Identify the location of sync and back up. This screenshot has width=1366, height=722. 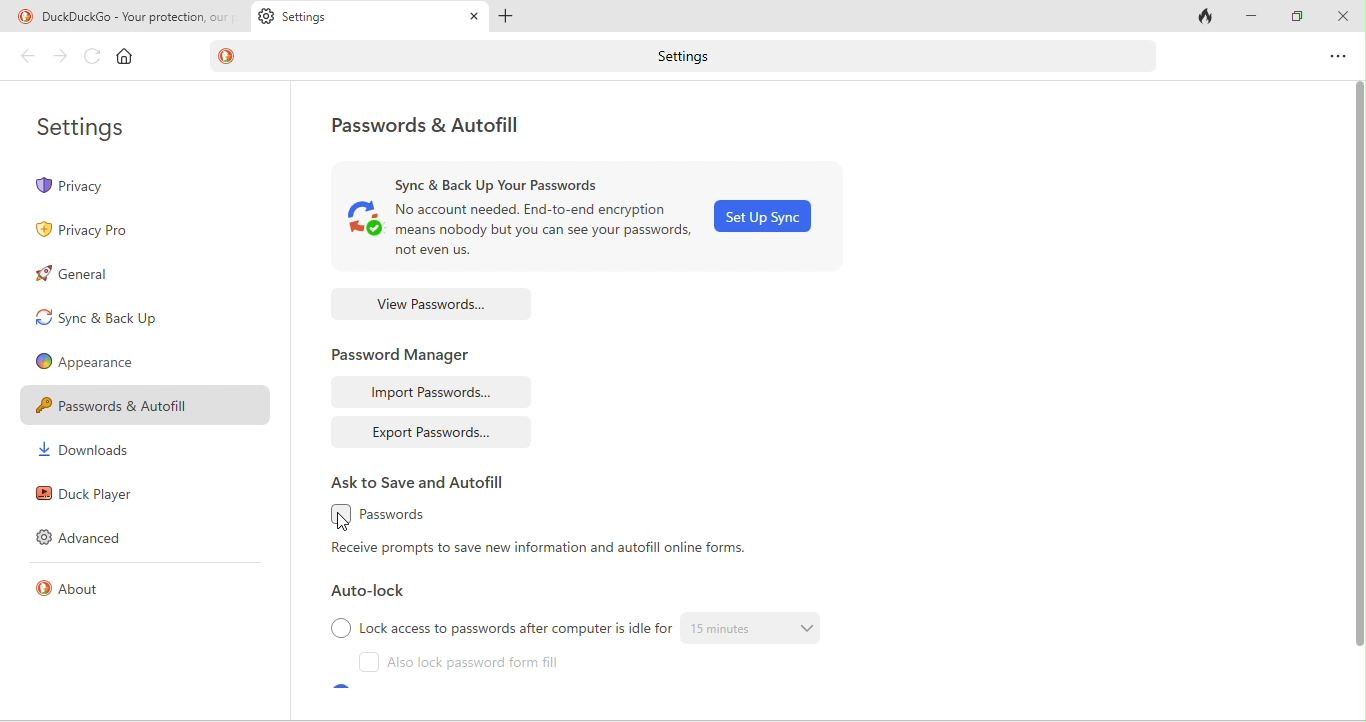
(97, 323).